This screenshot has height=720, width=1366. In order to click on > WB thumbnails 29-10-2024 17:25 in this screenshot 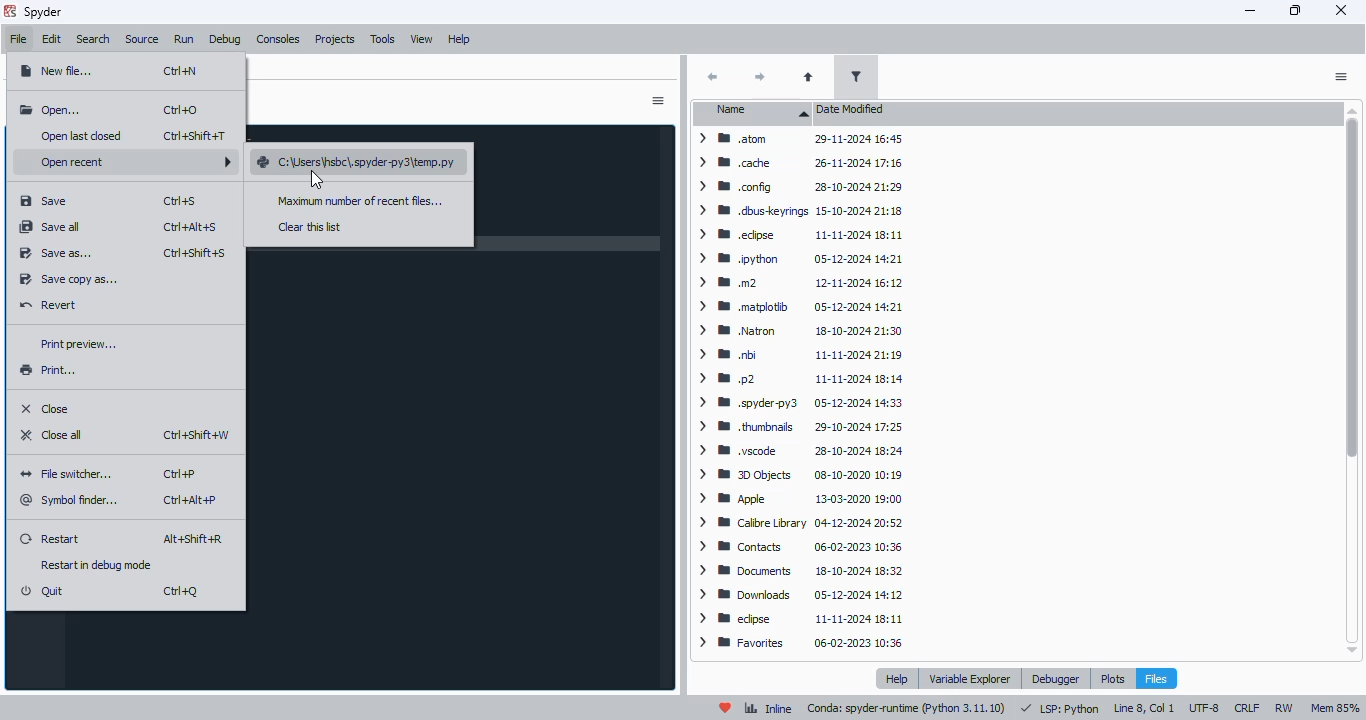, I will do `click(798, 425)`.